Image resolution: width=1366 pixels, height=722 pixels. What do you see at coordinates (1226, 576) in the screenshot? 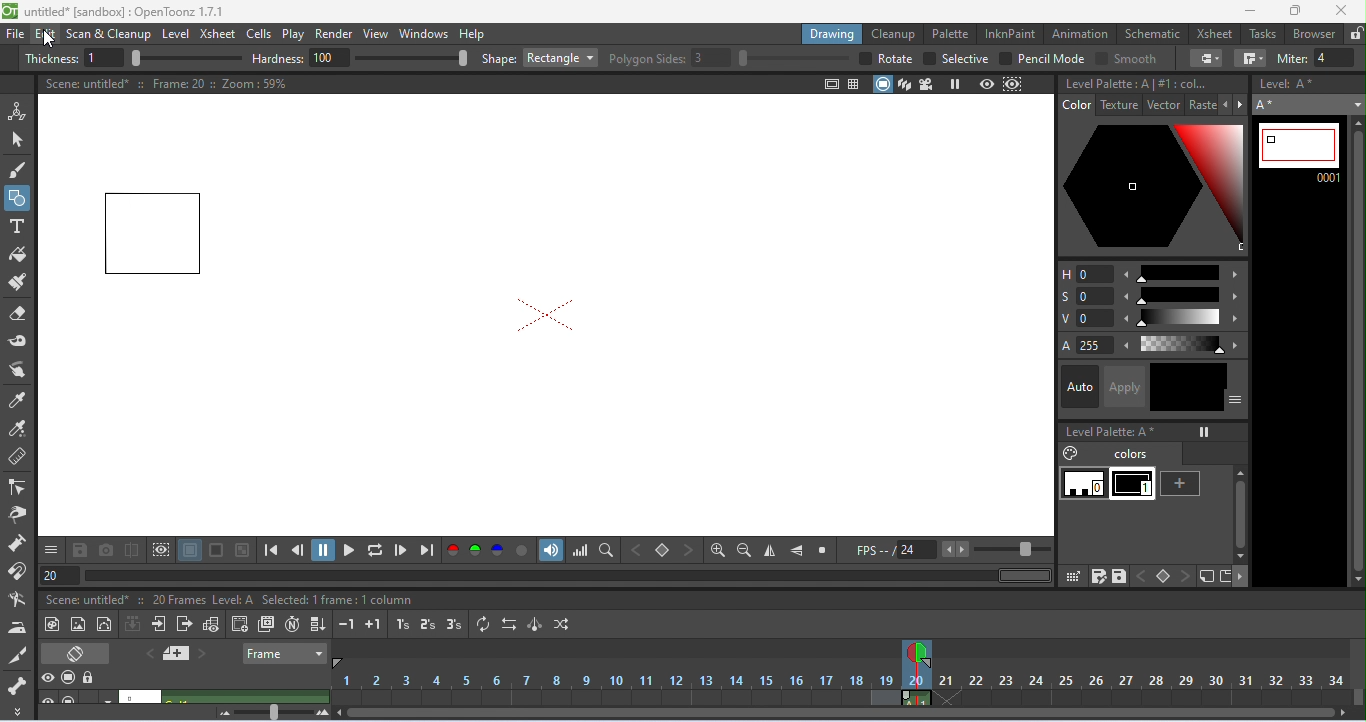
I see `new page` at bounding box center [1226, 576].